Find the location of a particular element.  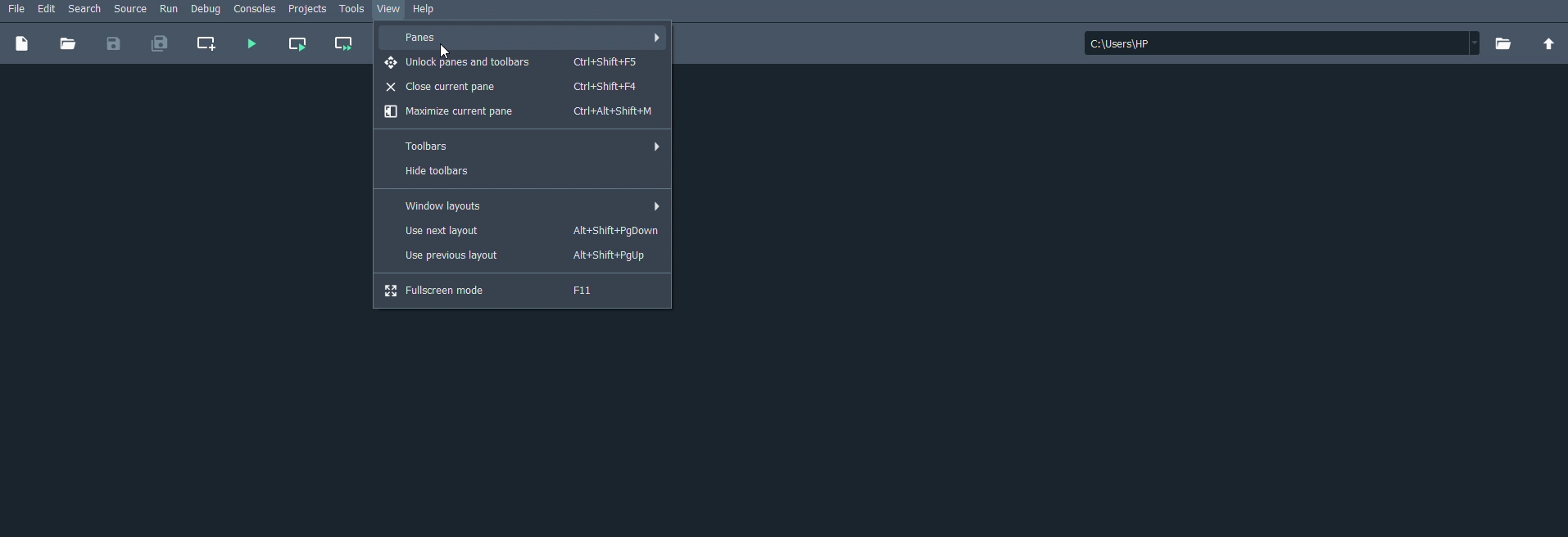

Fullscreen mode is located at coordinates (505, 291).